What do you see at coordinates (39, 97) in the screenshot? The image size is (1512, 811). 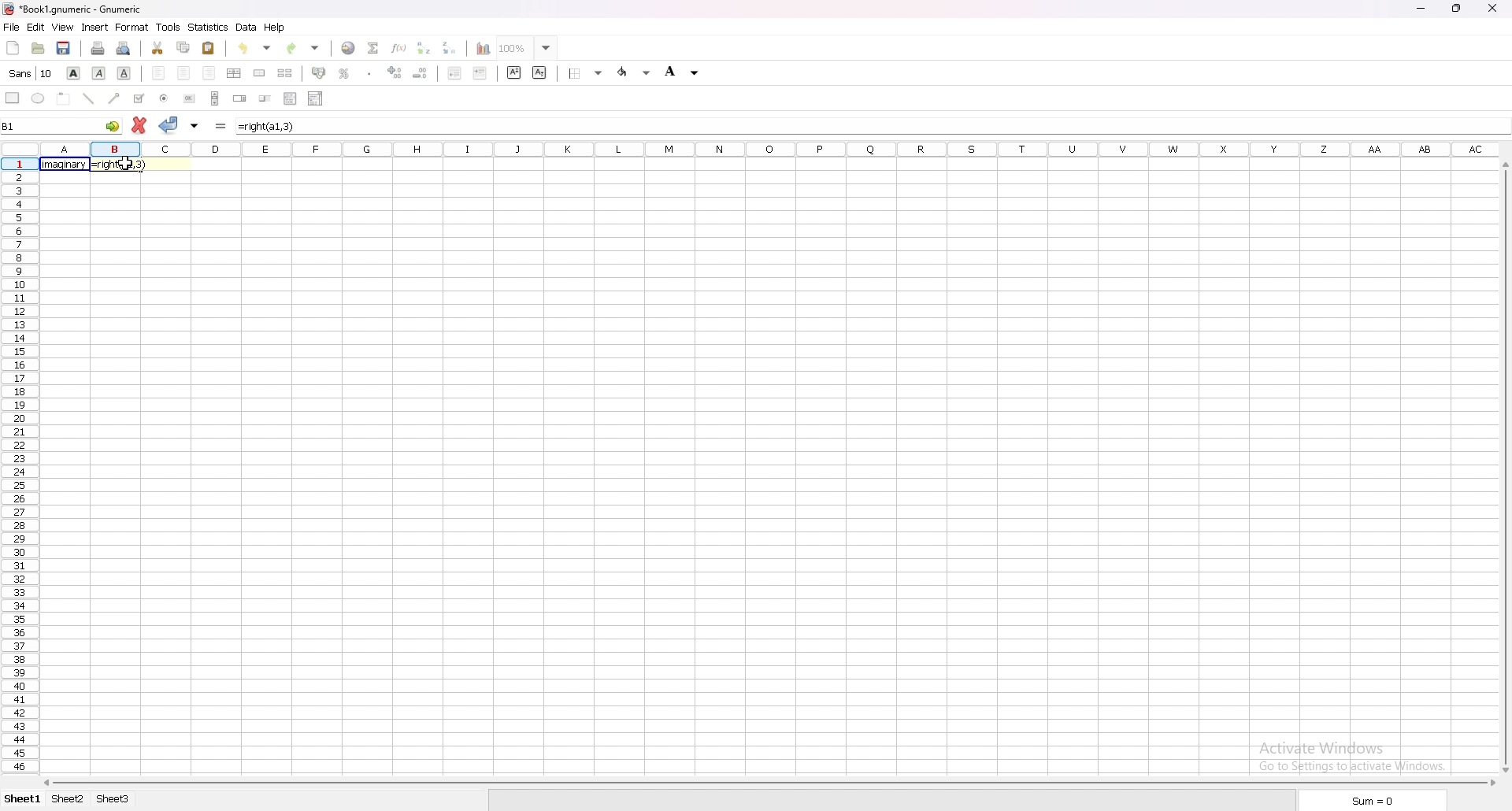 I see `ellipse` at bounding box center [39, 97].